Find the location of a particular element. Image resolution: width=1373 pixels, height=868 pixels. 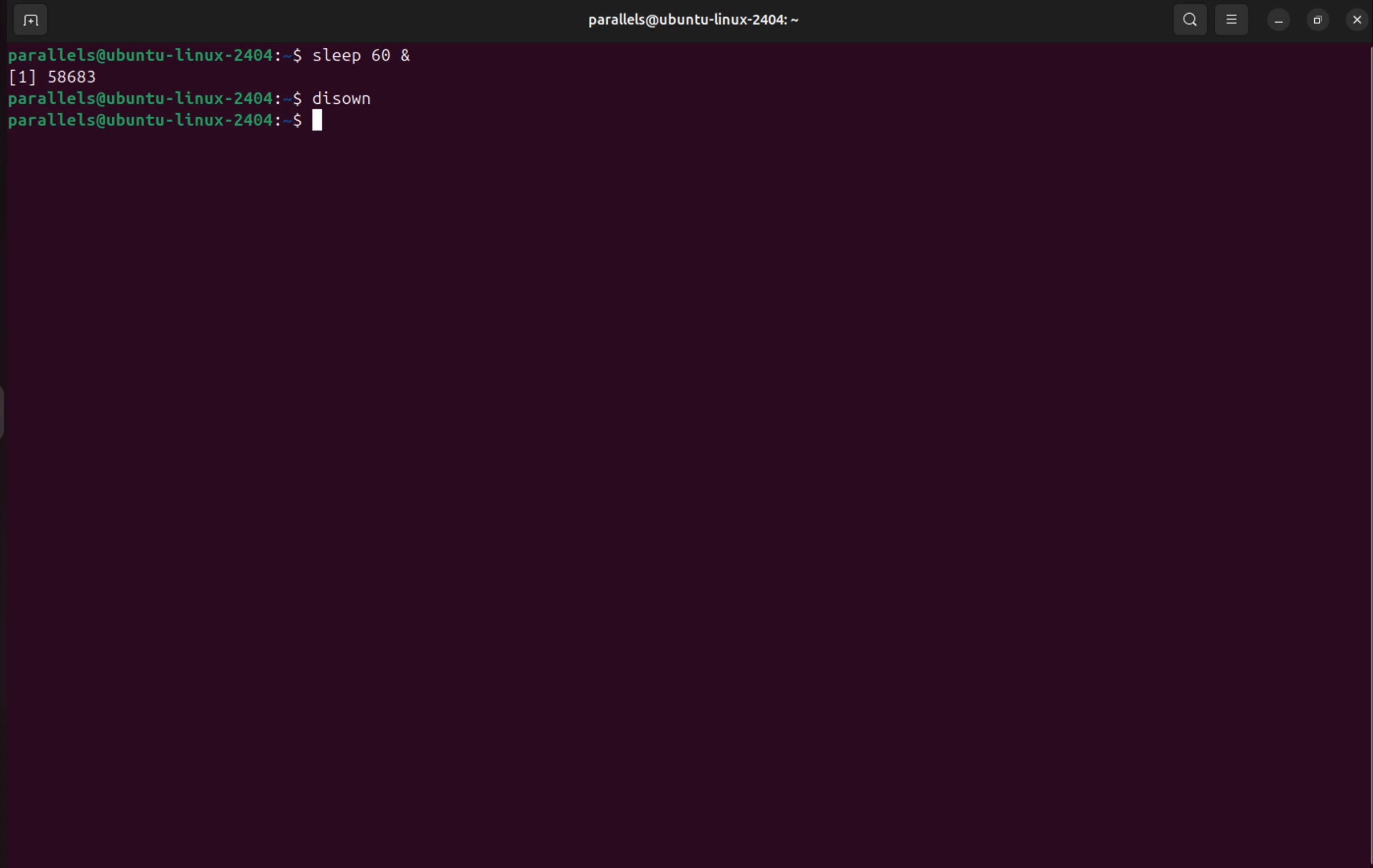

close is located at coordinates (1355, 18).